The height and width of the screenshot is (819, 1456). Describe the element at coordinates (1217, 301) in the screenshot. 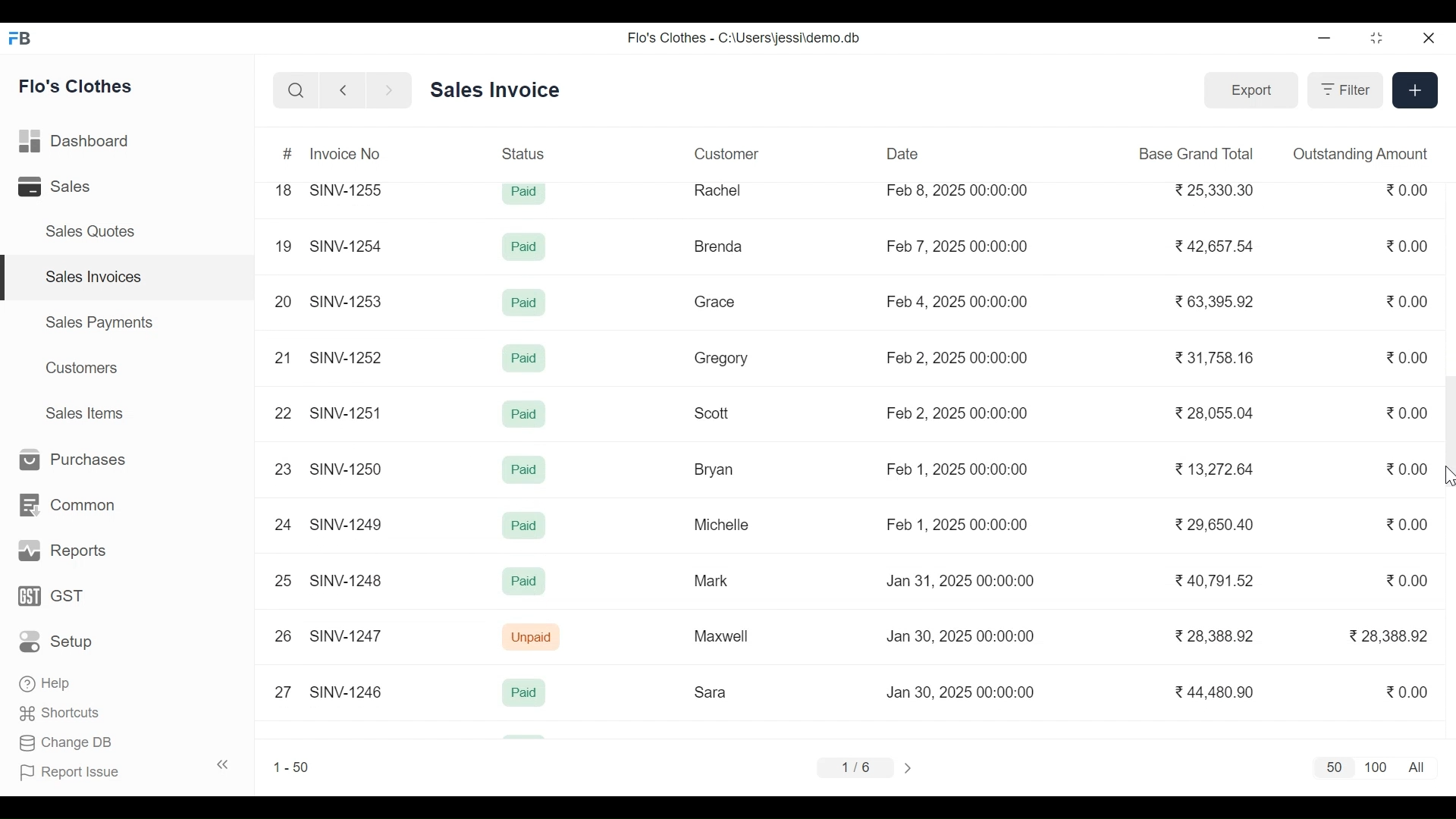

I see `63,395.92` at that location.